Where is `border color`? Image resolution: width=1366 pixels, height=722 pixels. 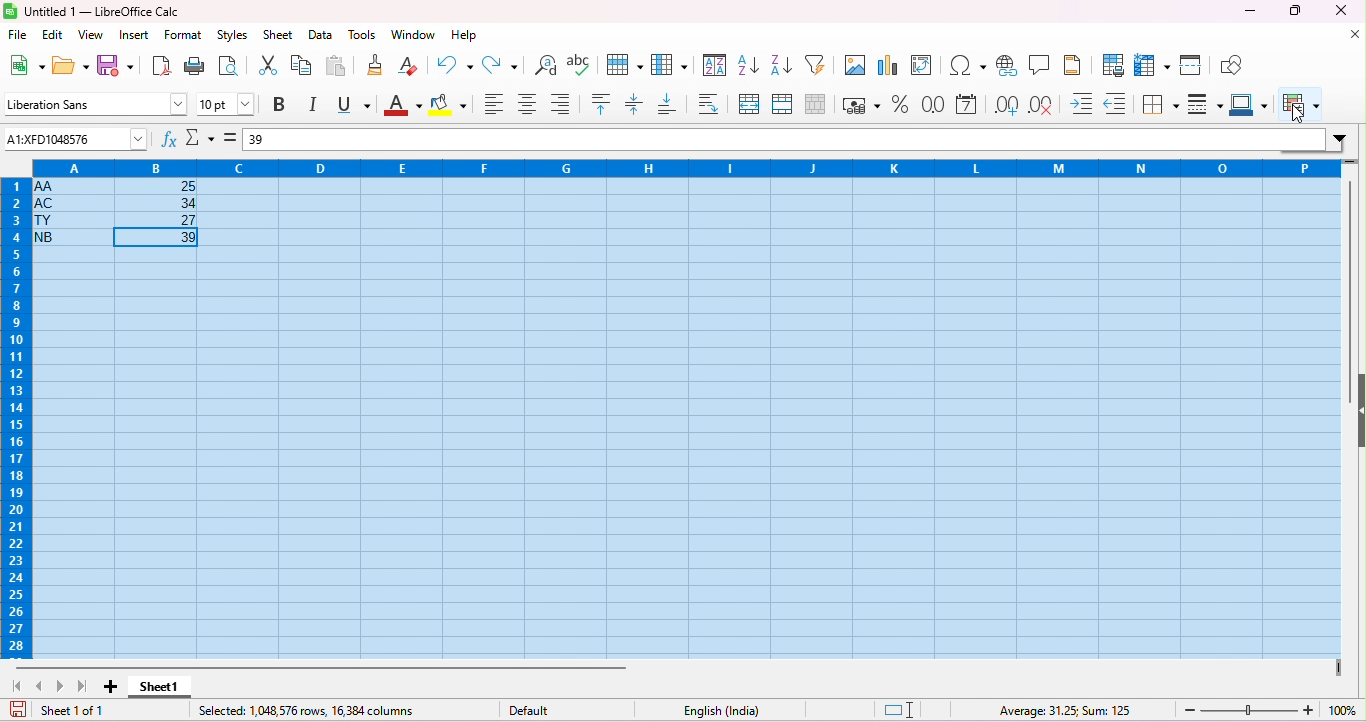 border color is located at coordinates (1251, 104).